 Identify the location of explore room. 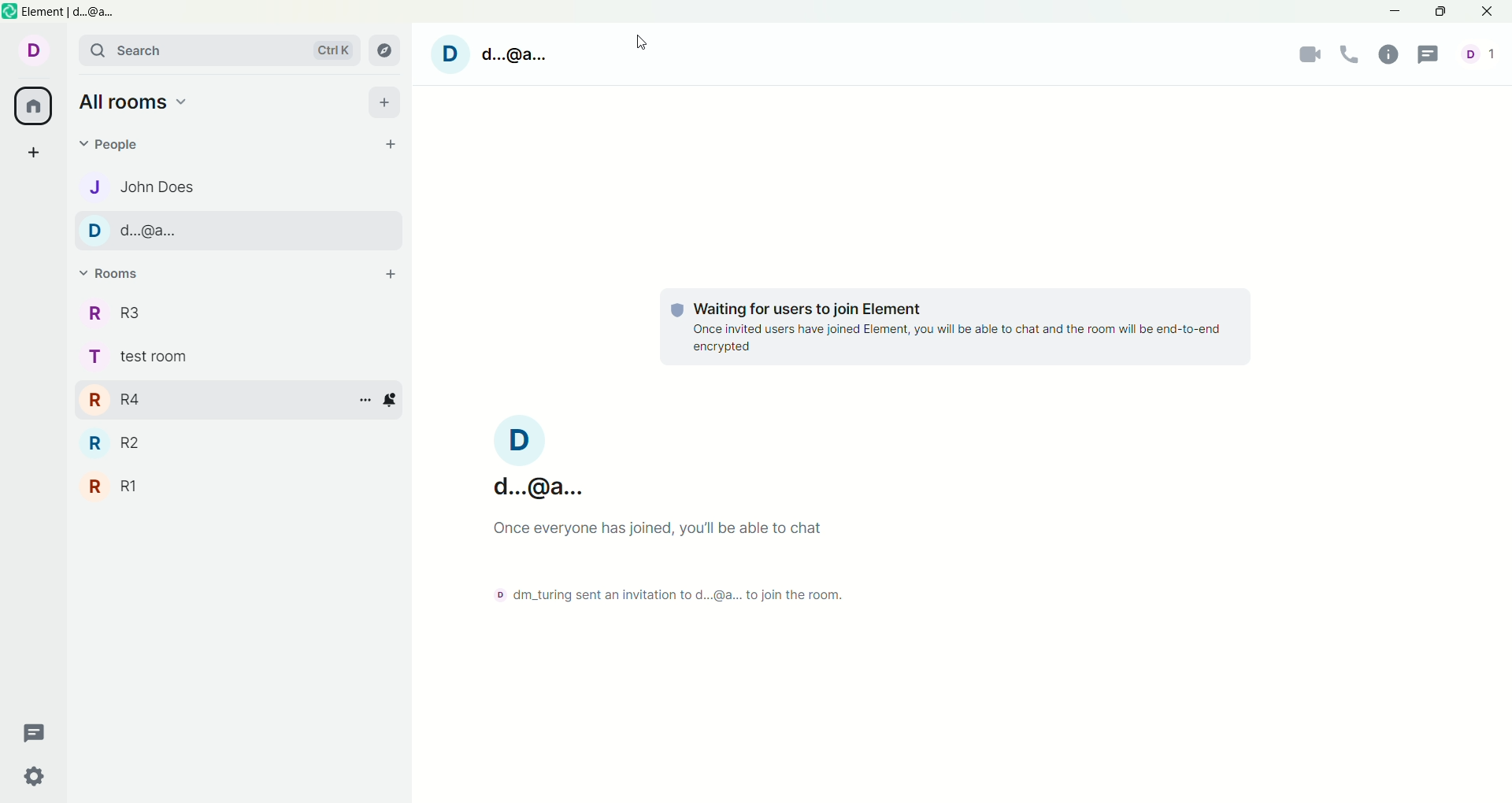
(388, 50).